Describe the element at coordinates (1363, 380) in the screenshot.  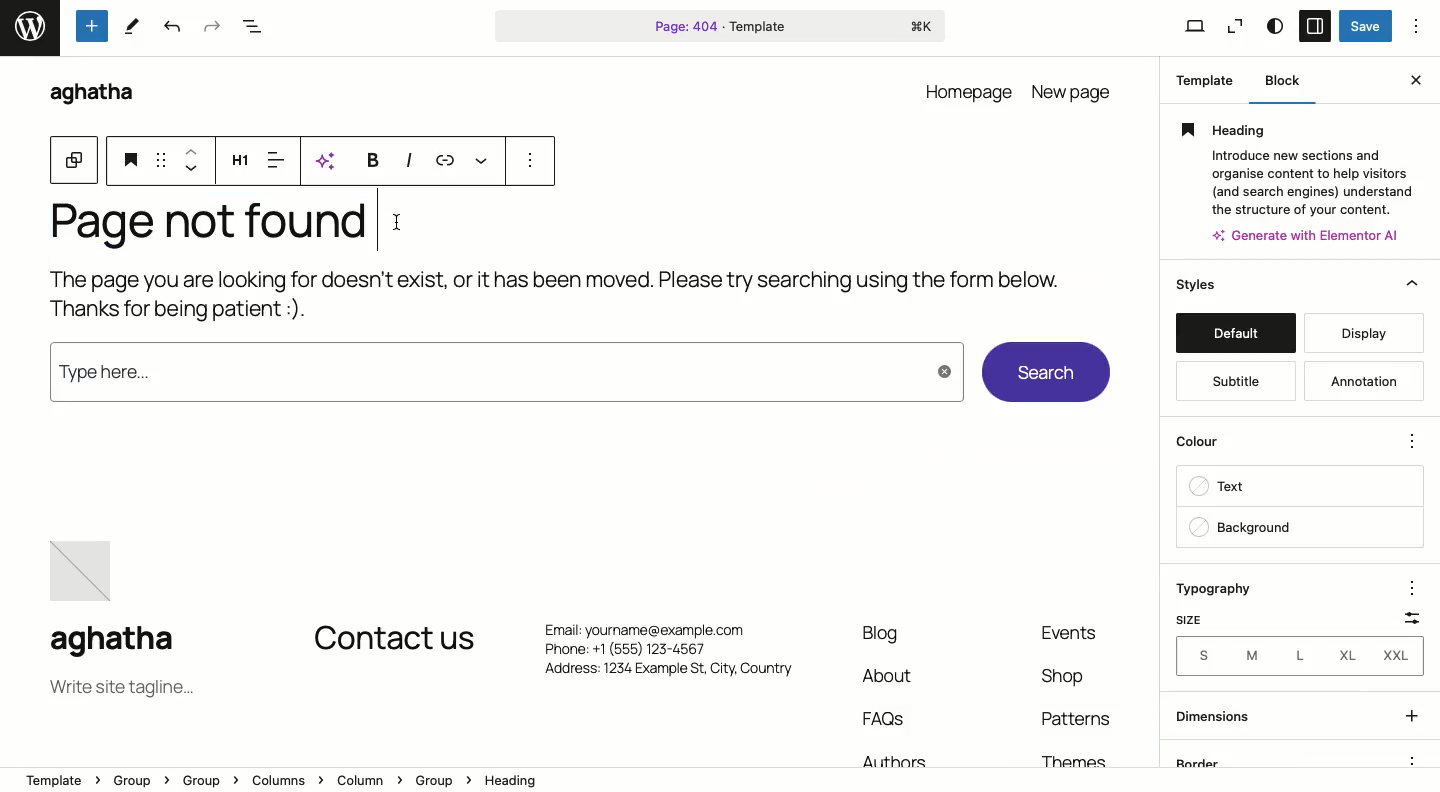
I see `annotation` at that location.